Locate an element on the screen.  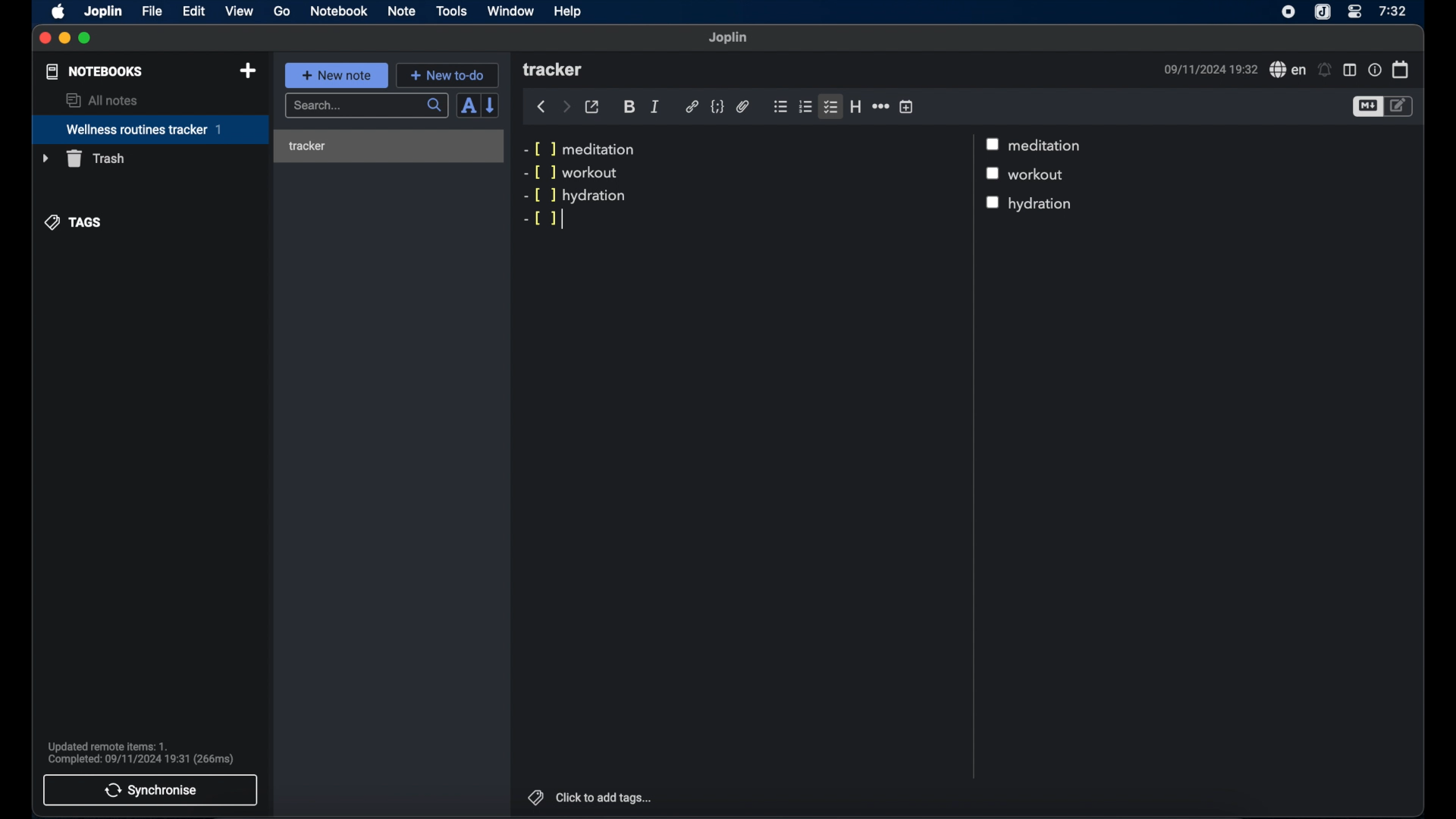
all notes is located at coordinates (101, 100).